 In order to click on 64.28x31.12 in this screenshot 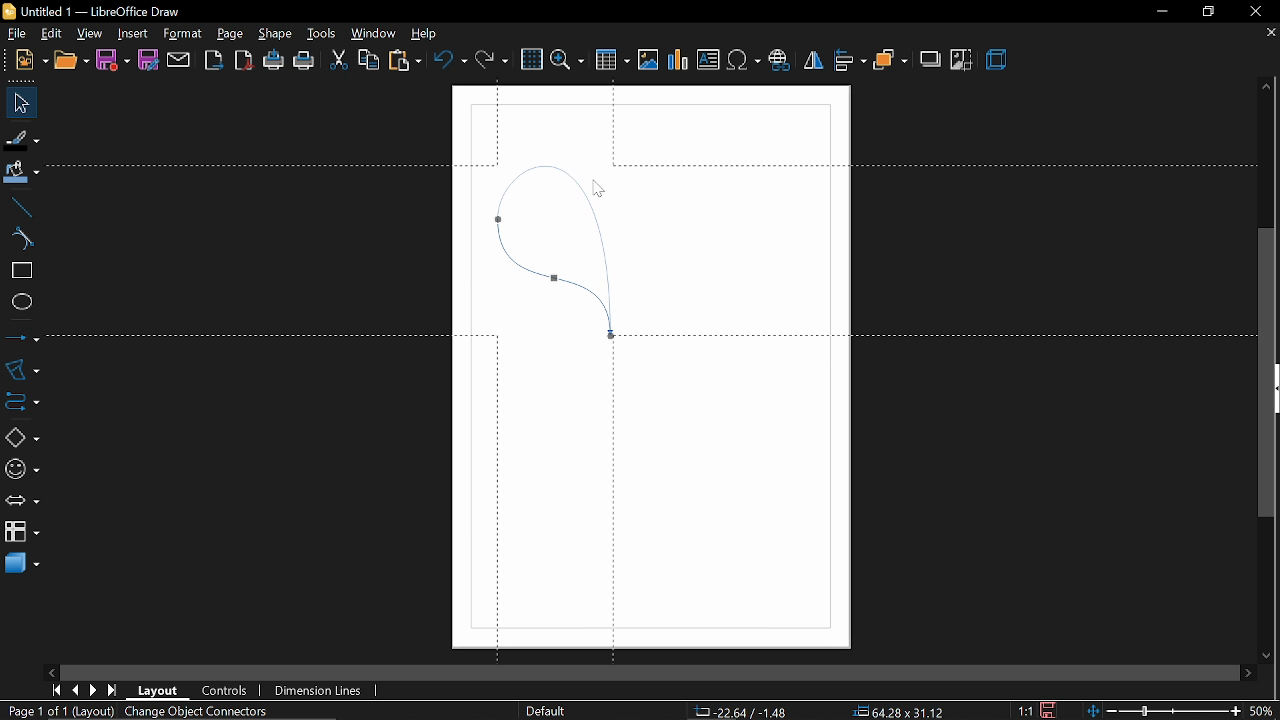, I will do `click(900, 710)`.